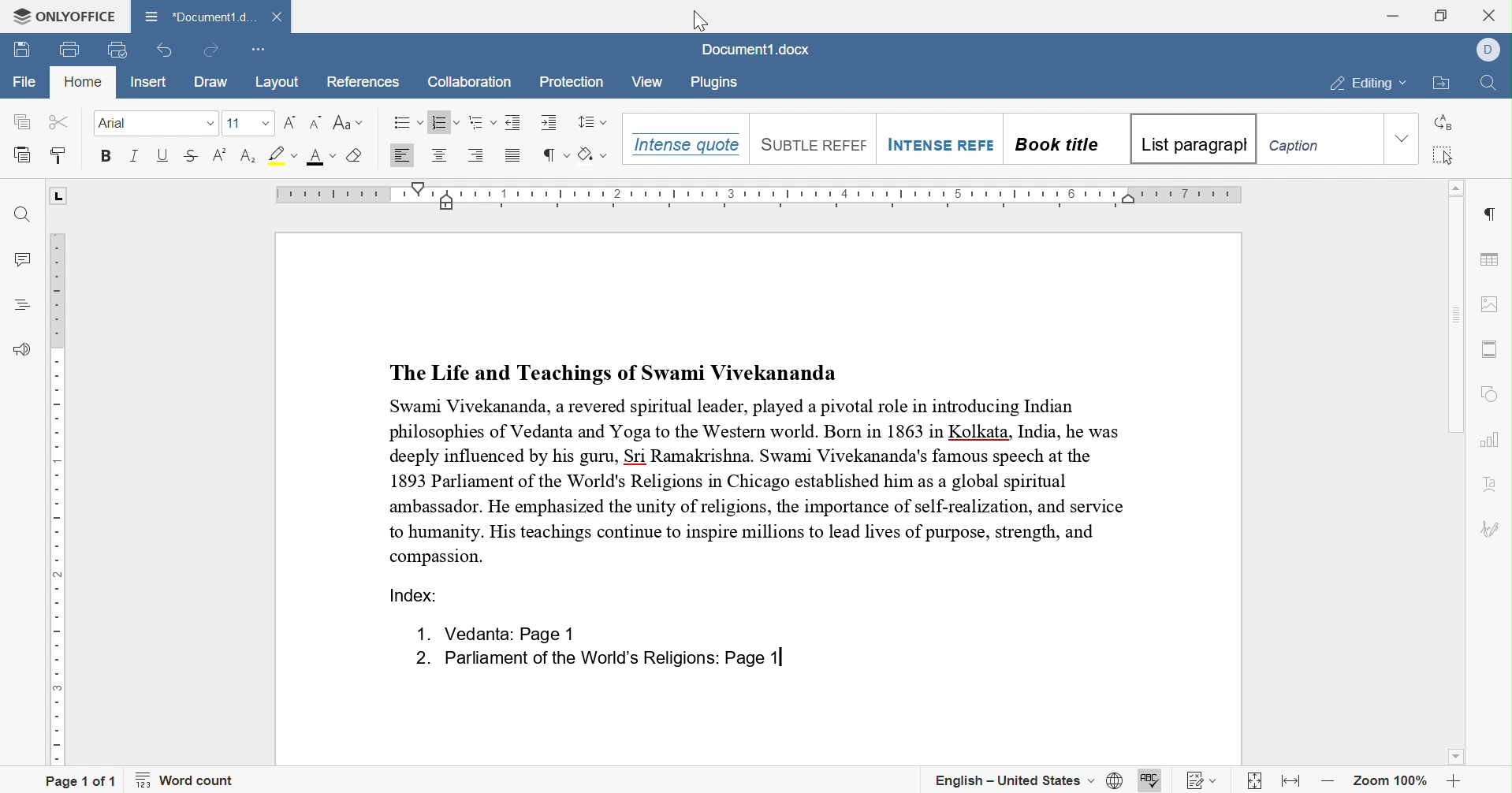 The width and height of the screenshot is (1512, 793). I want to click on replace, so click(1441, 123).